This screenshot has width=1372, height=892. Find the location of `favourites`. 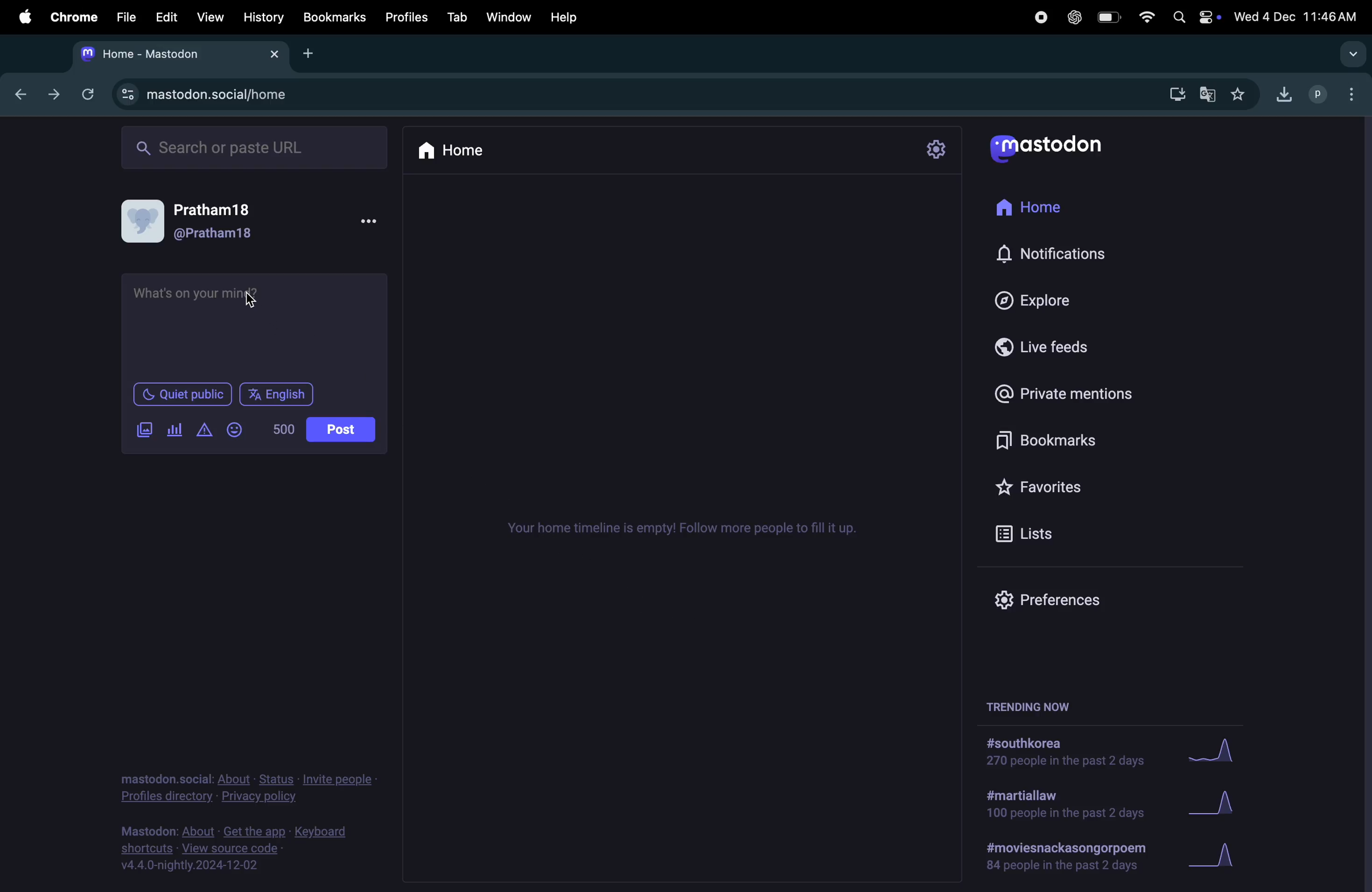

favourites is located at coordinates (1073, 483).